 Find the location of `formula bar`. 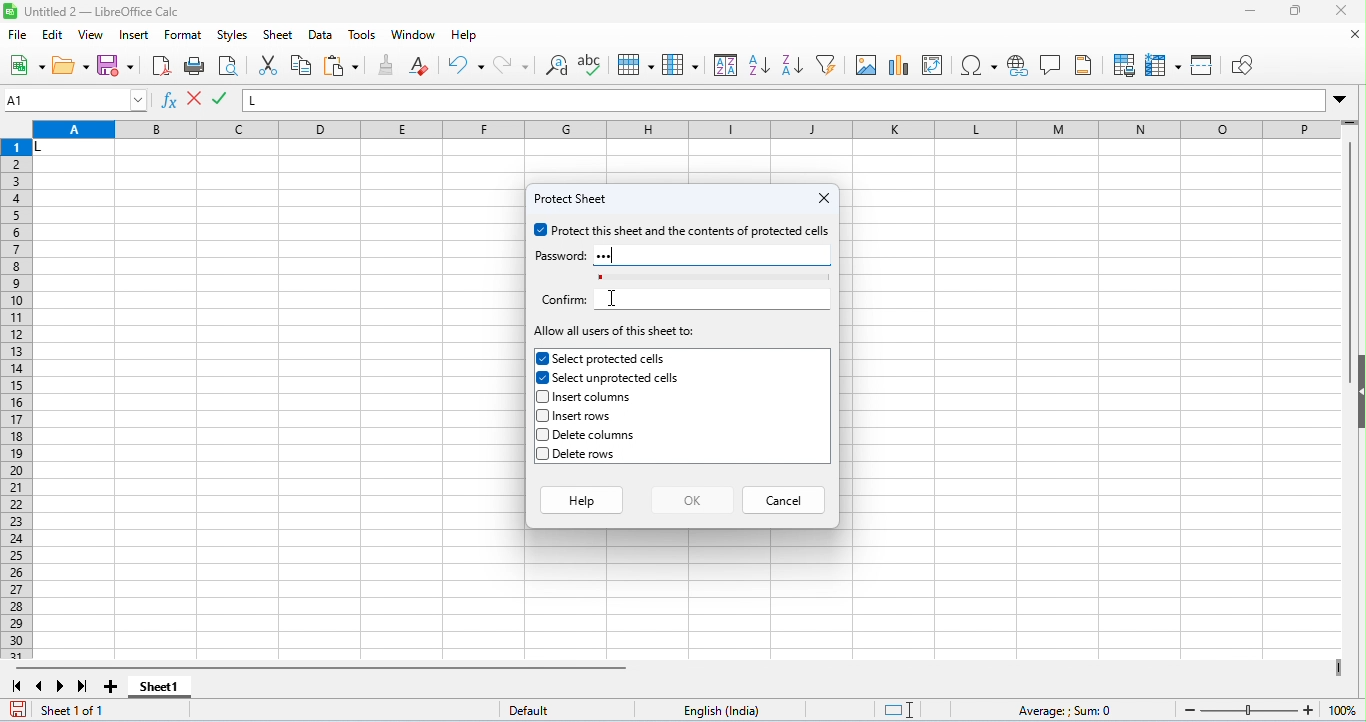

formula bar is located at coordinates (785, 100).